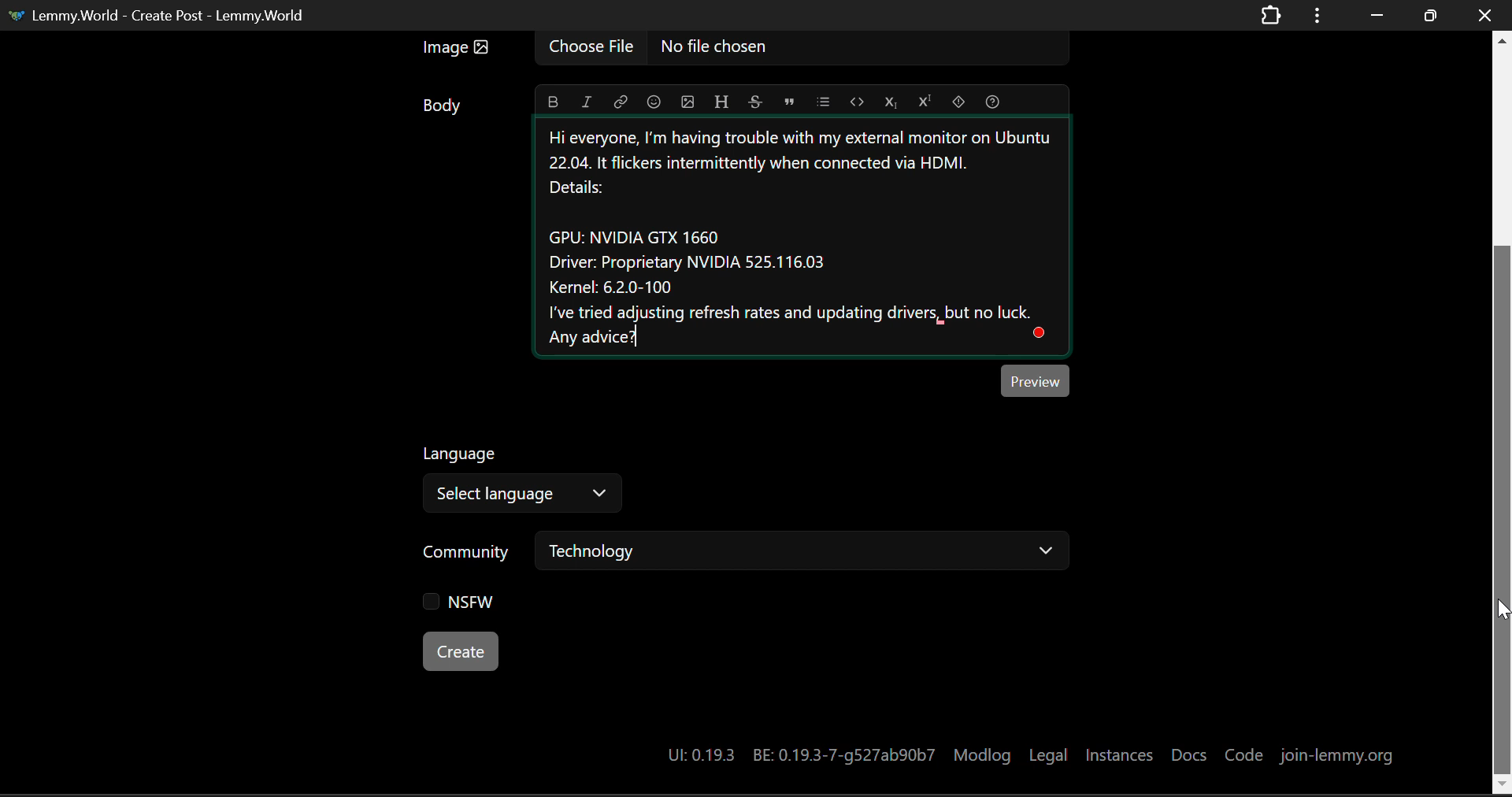  I want to click on Italic, so click(586, 101).